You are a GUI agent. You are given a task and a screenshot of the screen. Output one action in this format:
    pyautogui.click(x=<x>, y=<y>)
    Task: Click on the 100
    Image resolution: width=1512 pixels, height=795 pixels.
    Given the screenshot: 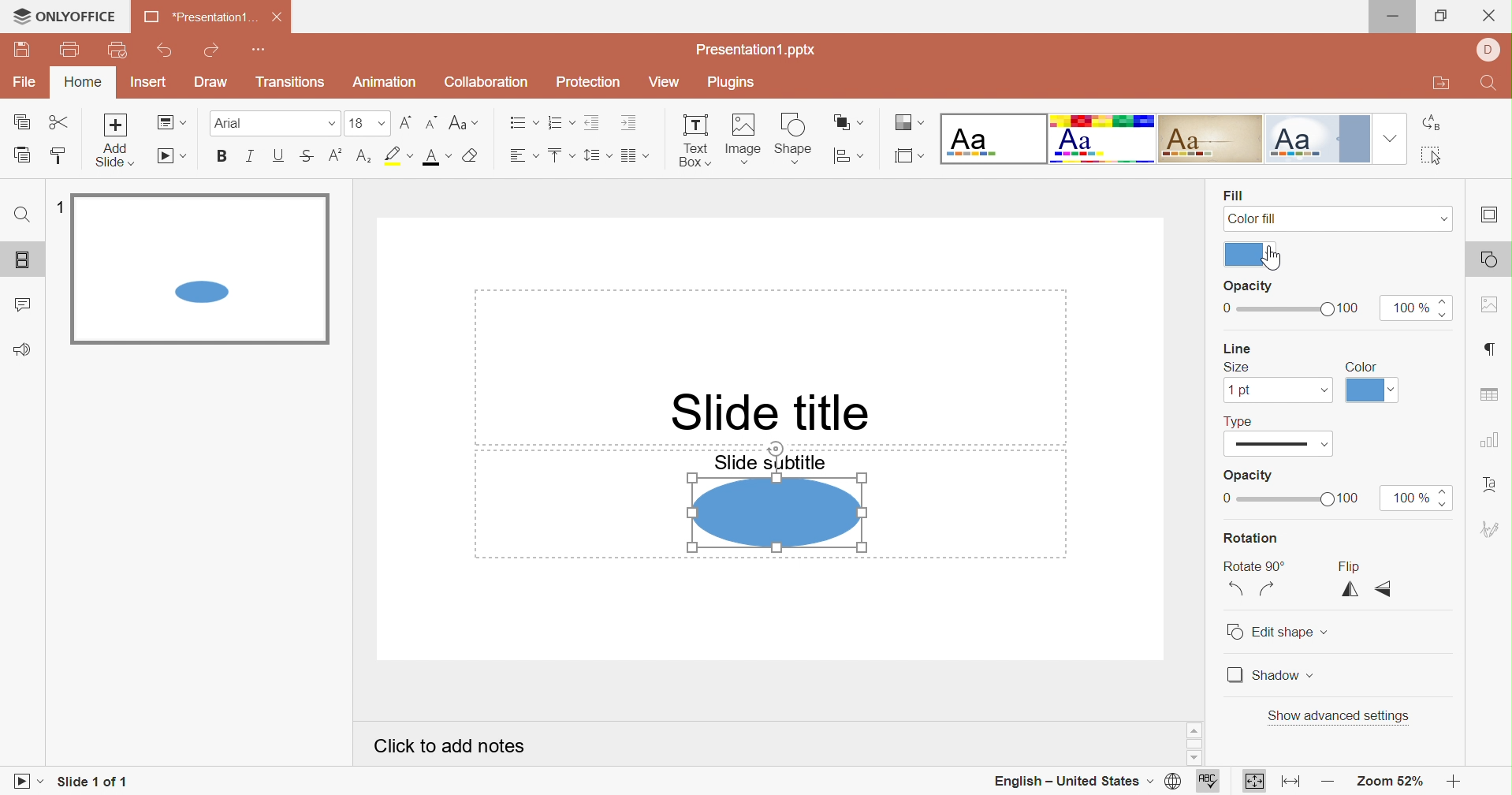 What is the action you would take?
    pyautogui.click(x=1350, y=308)
    